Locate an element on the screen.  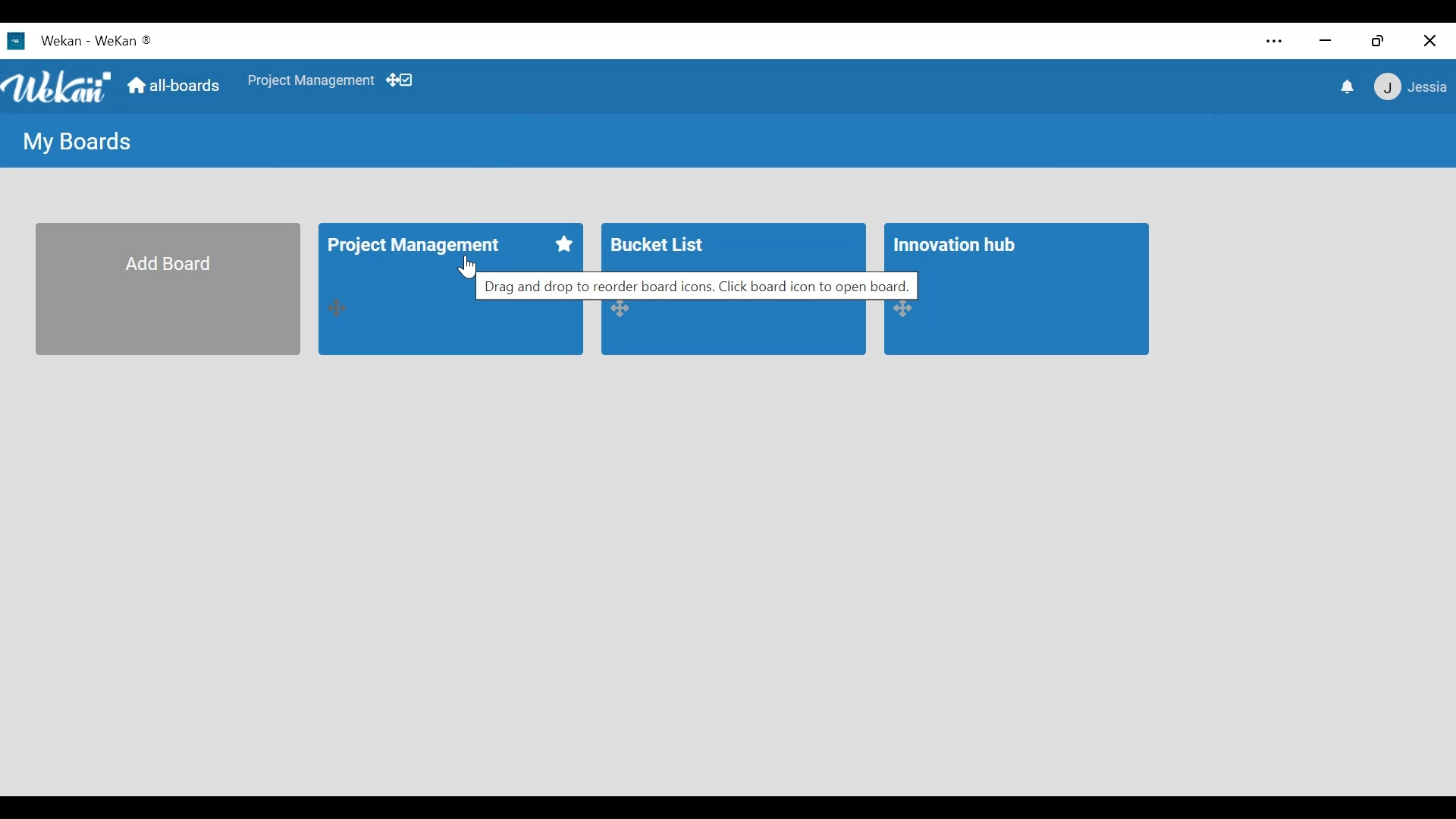
Cursor is located at coordinates (469, 265).